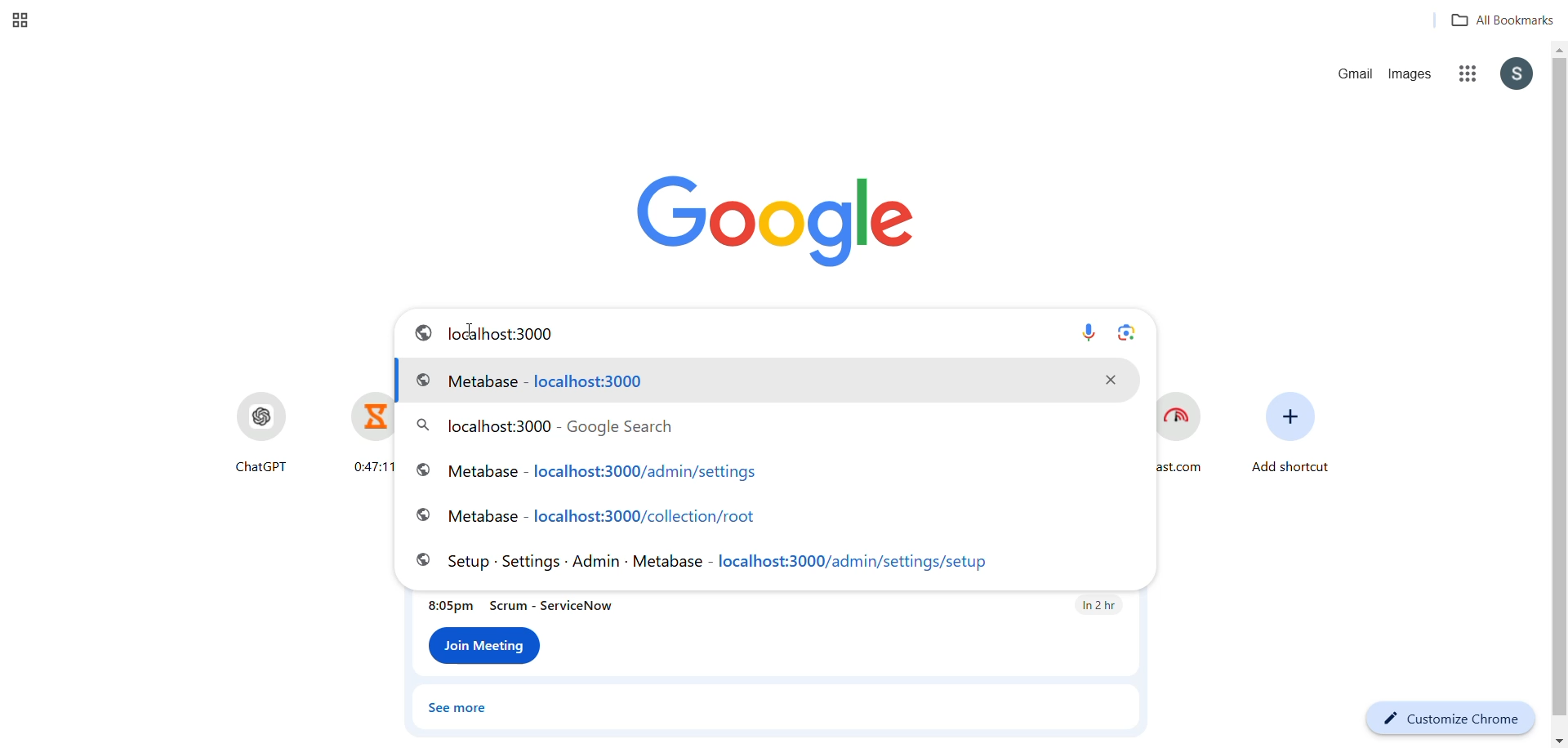 The width and height of the screenshot is (1568, 748). I want to click on ChatGPT, so click(257, 433).